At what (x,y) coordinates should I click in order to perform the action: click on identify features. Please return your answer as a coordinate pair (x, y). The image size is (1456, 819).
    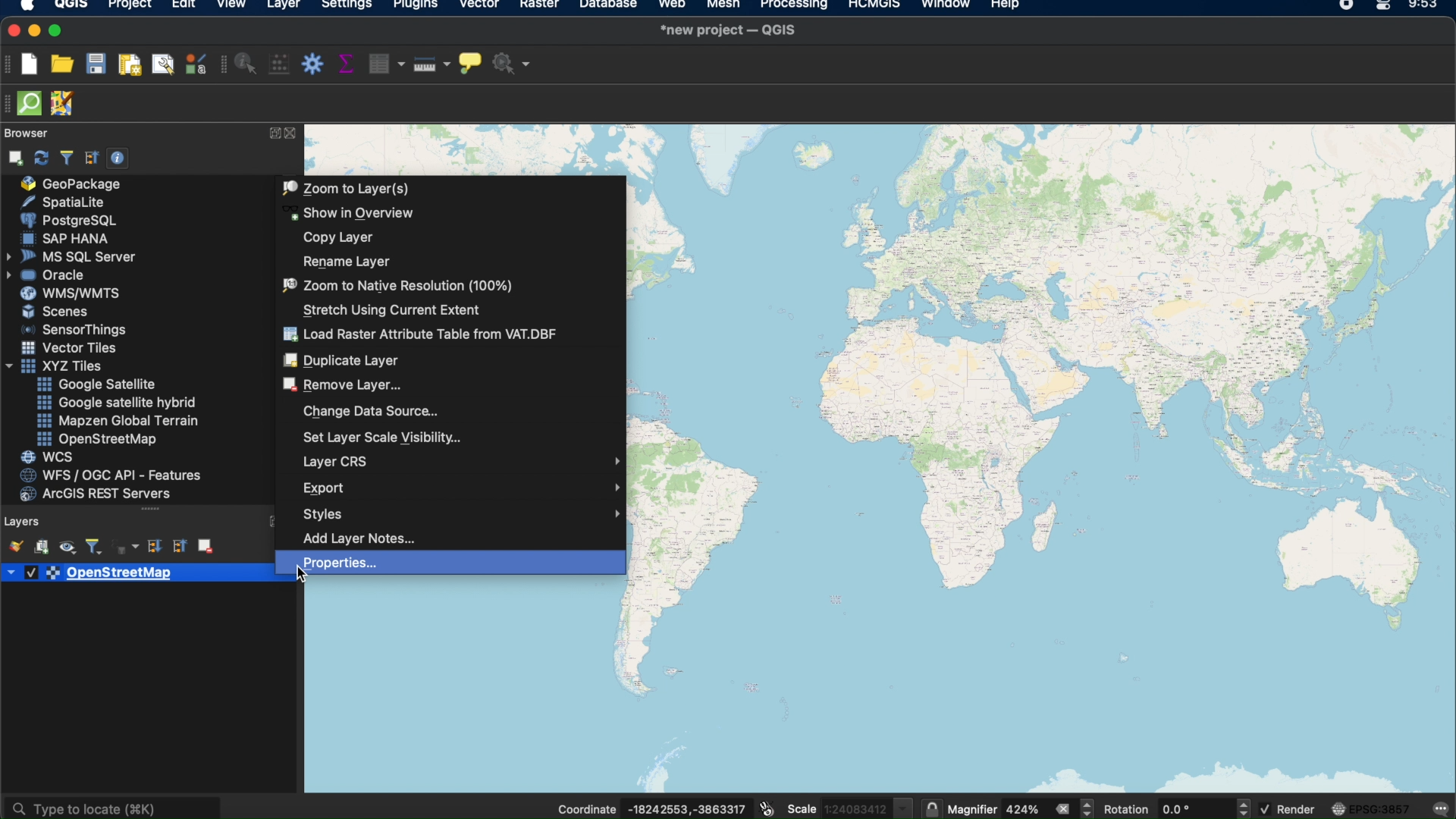
    Looking at the image, I should click on (248, 64).